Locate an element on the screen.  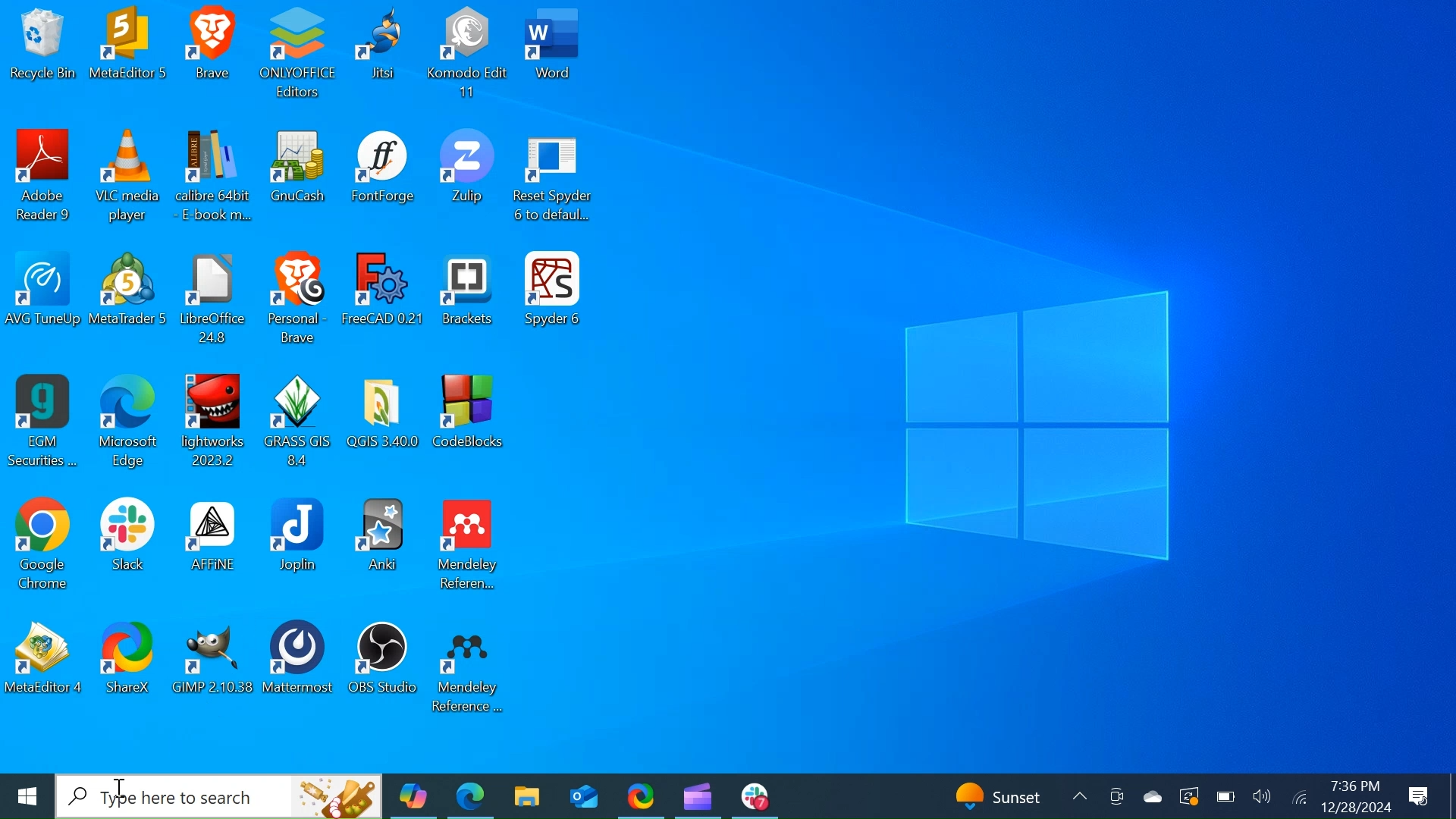
QGIS Folder is located at coordinates (384, 424).